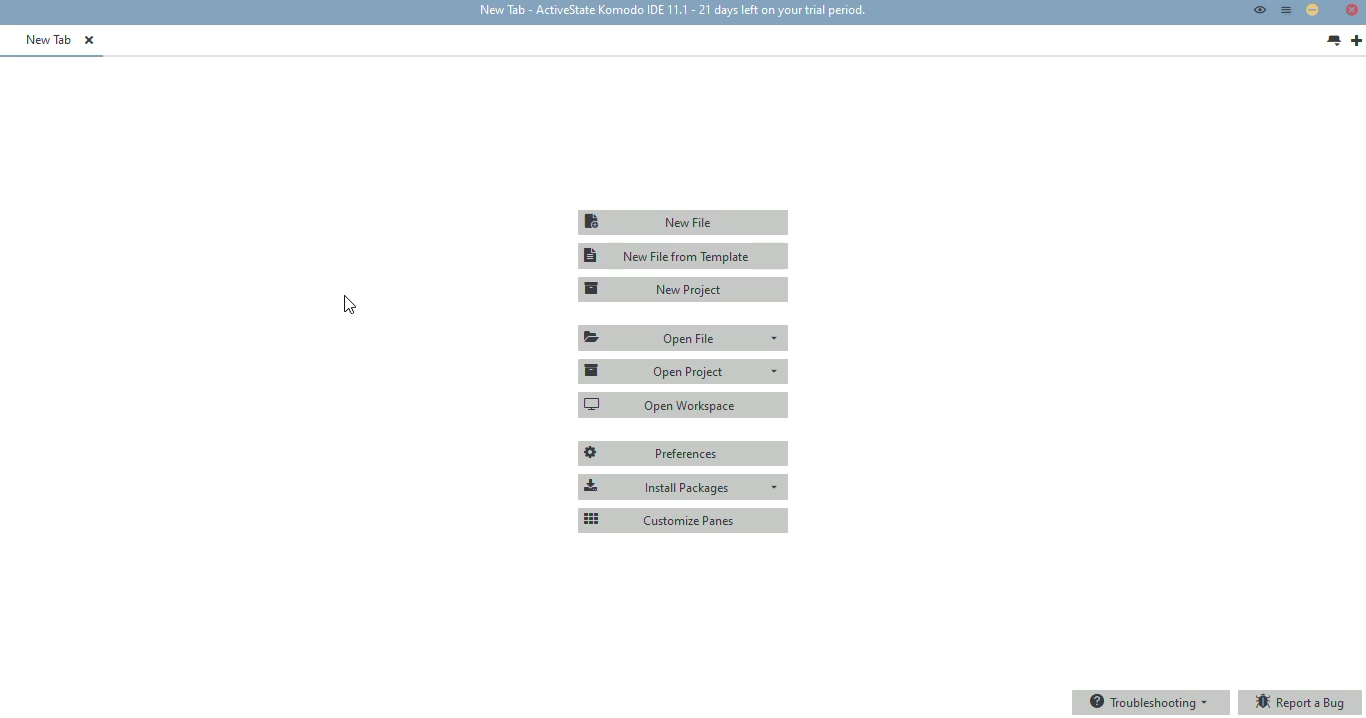 The width and height of the screenshot is (1366, 718). What do you see at coordinates (672, 10) in the screenshot?
I see `new tab` at bounding box center [672, 10].